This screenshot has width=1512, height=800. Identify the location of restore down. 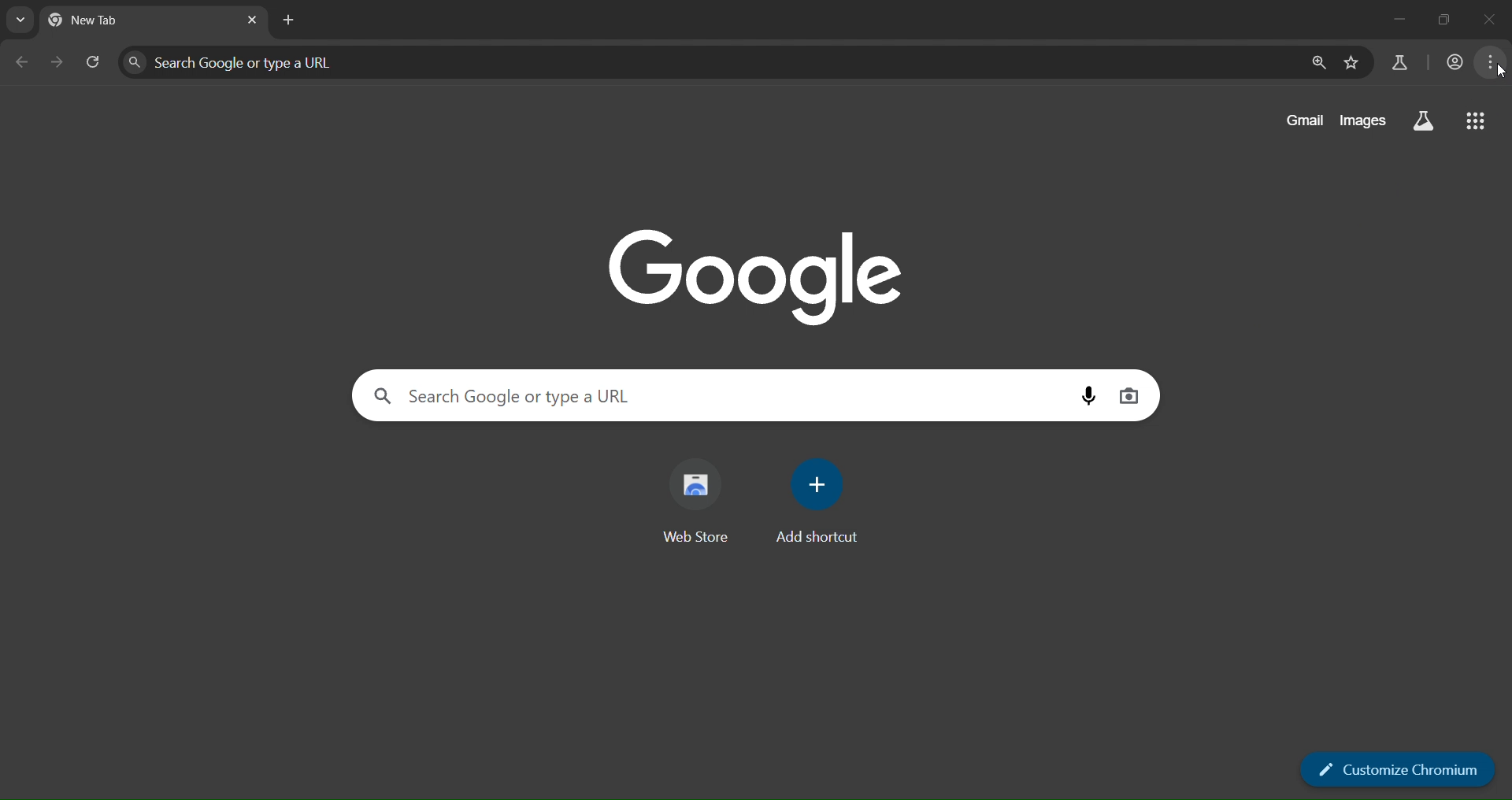
(1438, 19).